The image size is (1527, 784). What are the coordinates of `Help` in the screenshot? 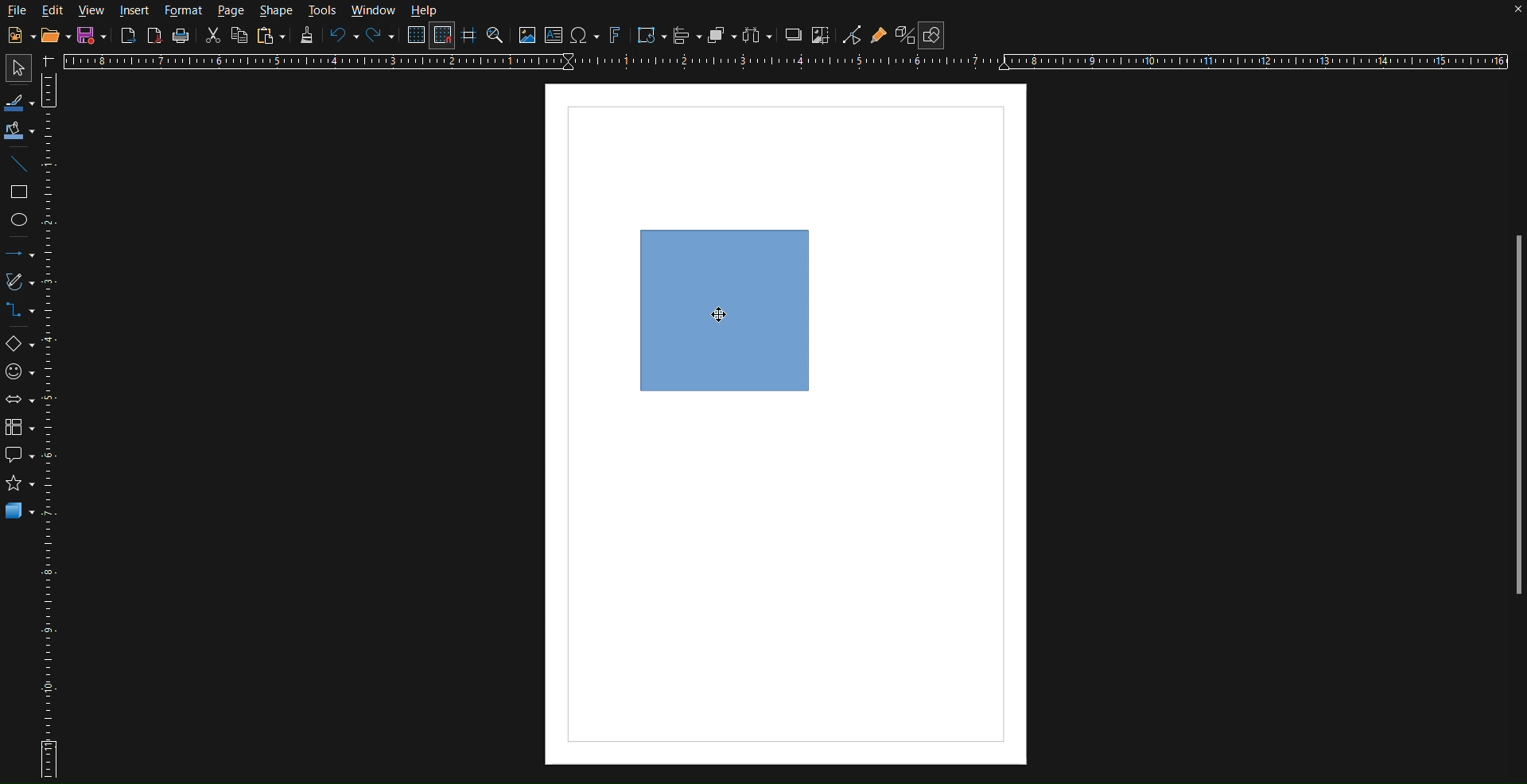 It's located at (425, 11).